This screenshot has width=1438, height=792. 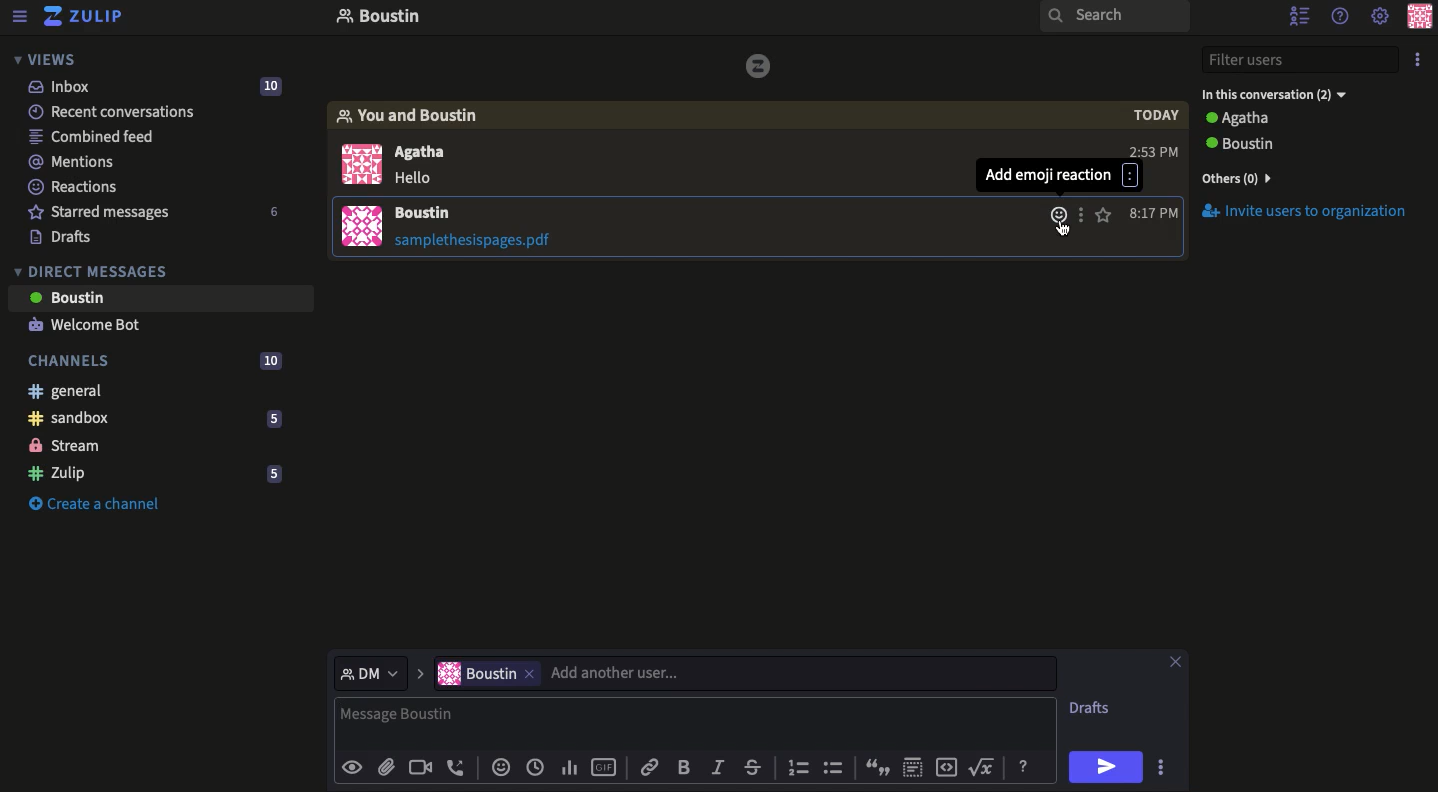 I want to click on DMs, so click(x=92, y=269).